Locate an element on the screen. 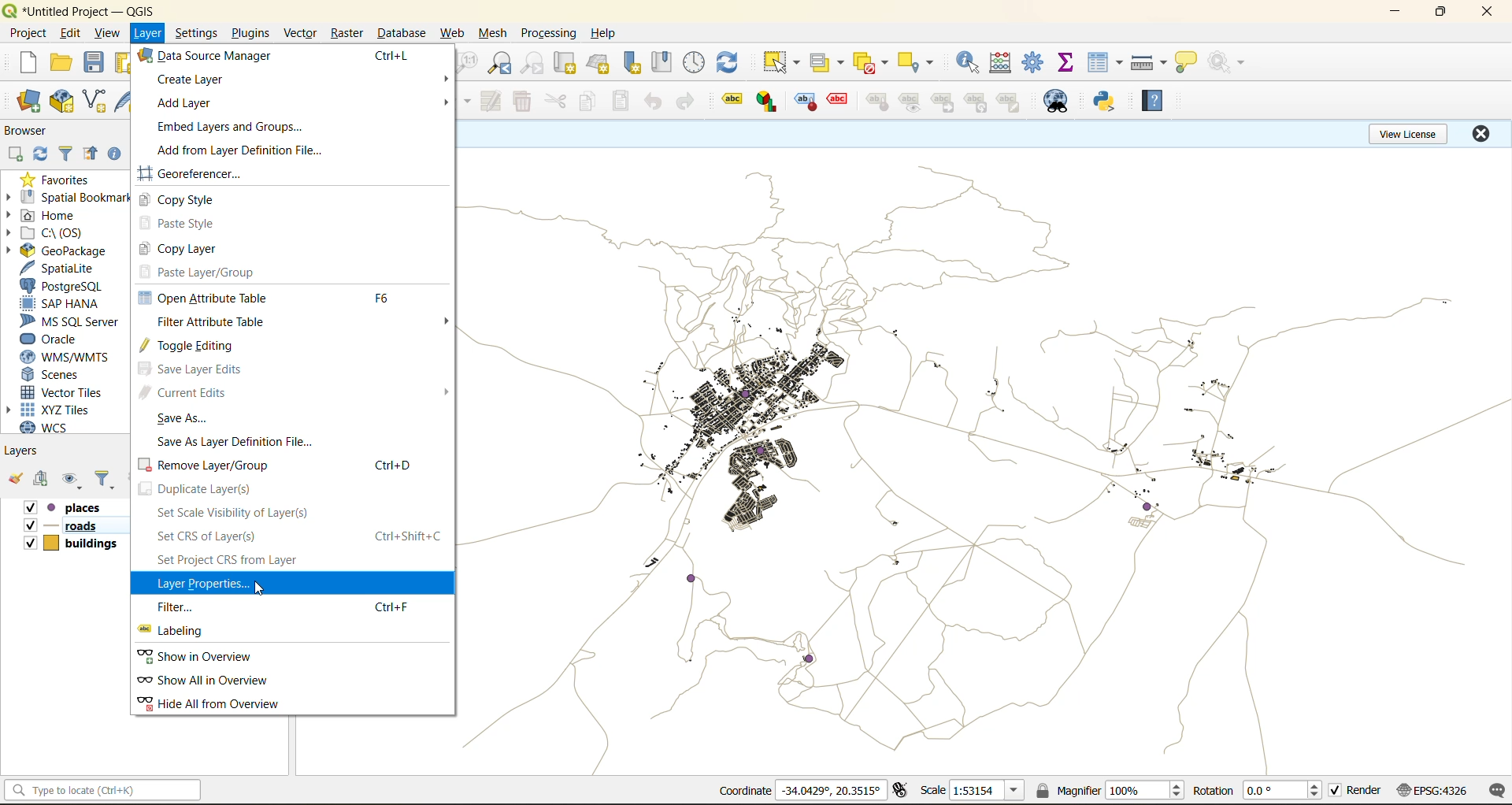  mesh is located at coordinates (495, 34).